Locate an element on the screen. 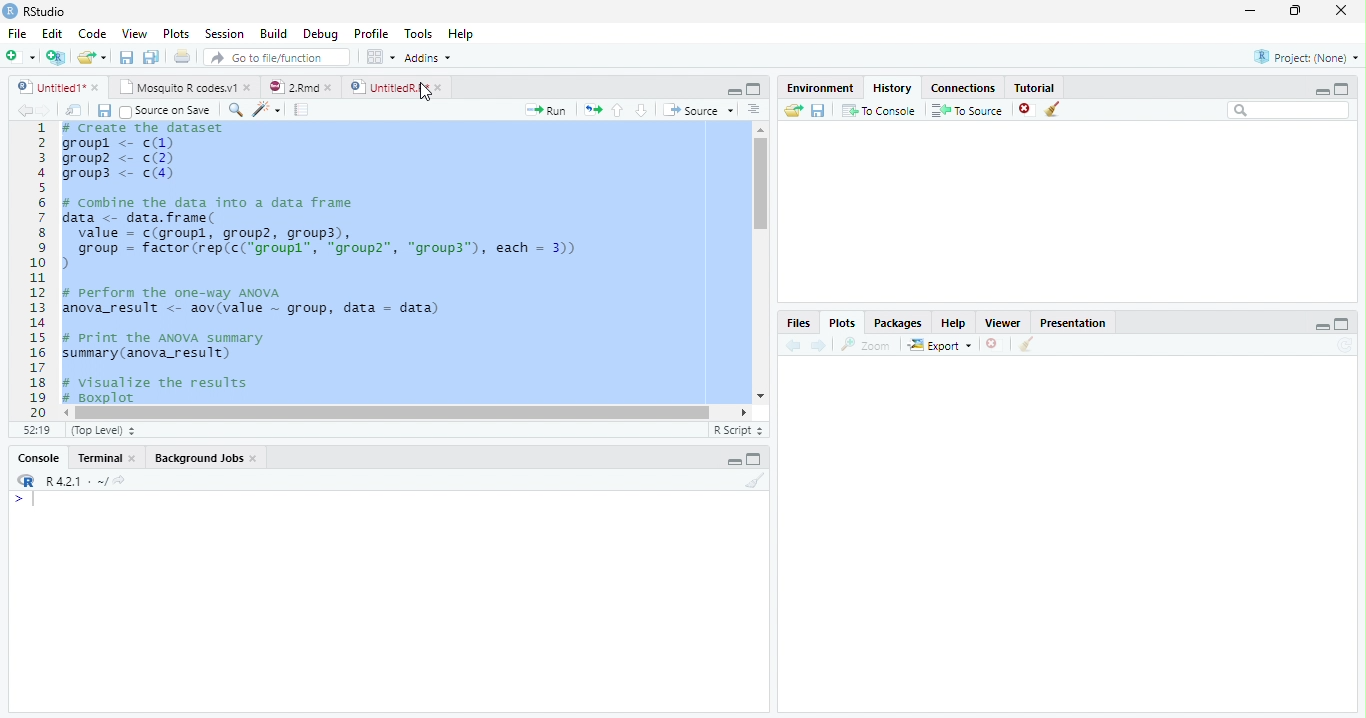  Connections is located at coordinates (965, 86).